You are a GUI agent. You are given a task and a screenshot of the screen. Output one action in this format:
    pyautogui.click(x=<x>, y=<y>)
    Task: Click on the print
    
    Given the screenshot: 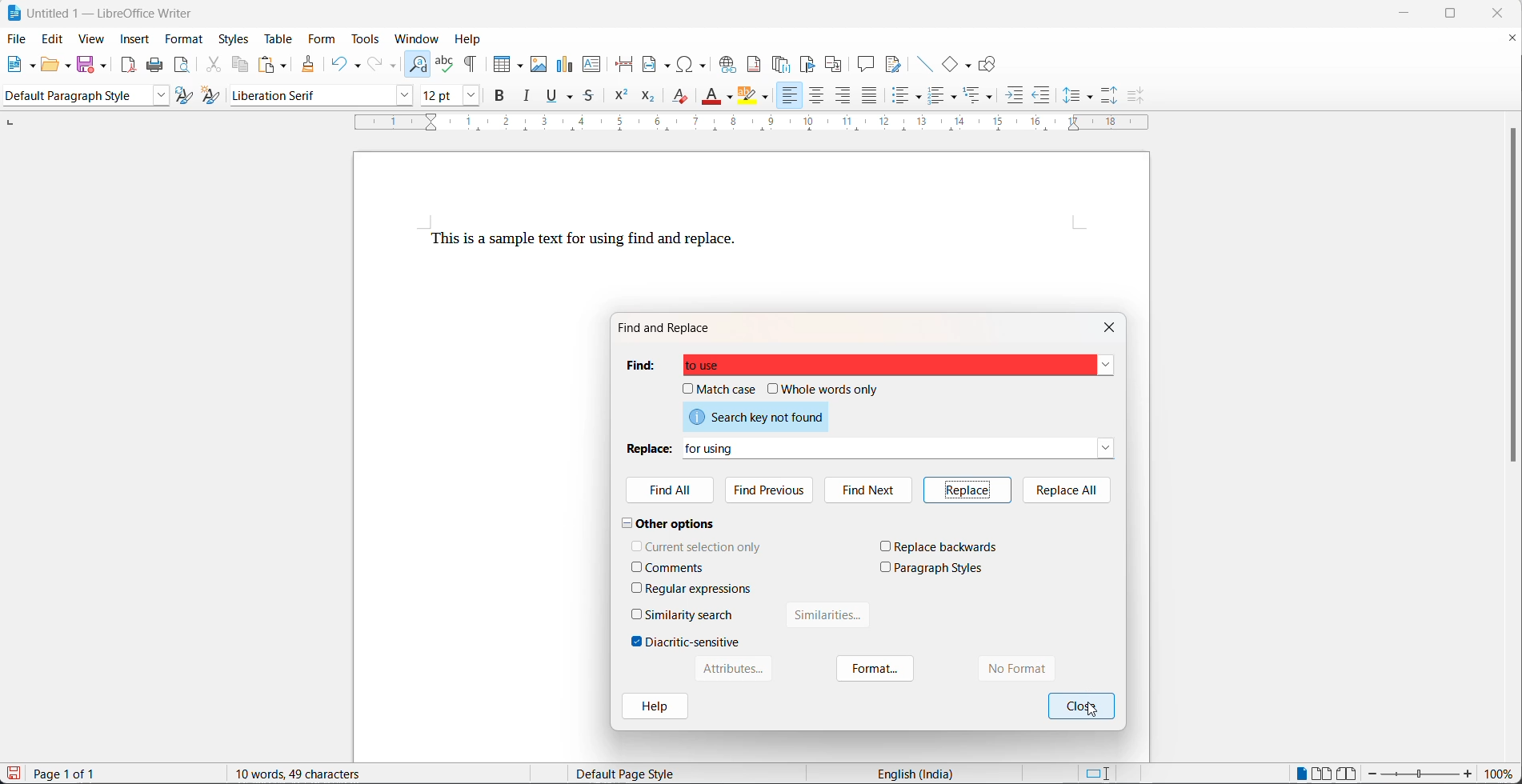 What is the action you would take?
    pyautogui.click(x=158, y=66)
    